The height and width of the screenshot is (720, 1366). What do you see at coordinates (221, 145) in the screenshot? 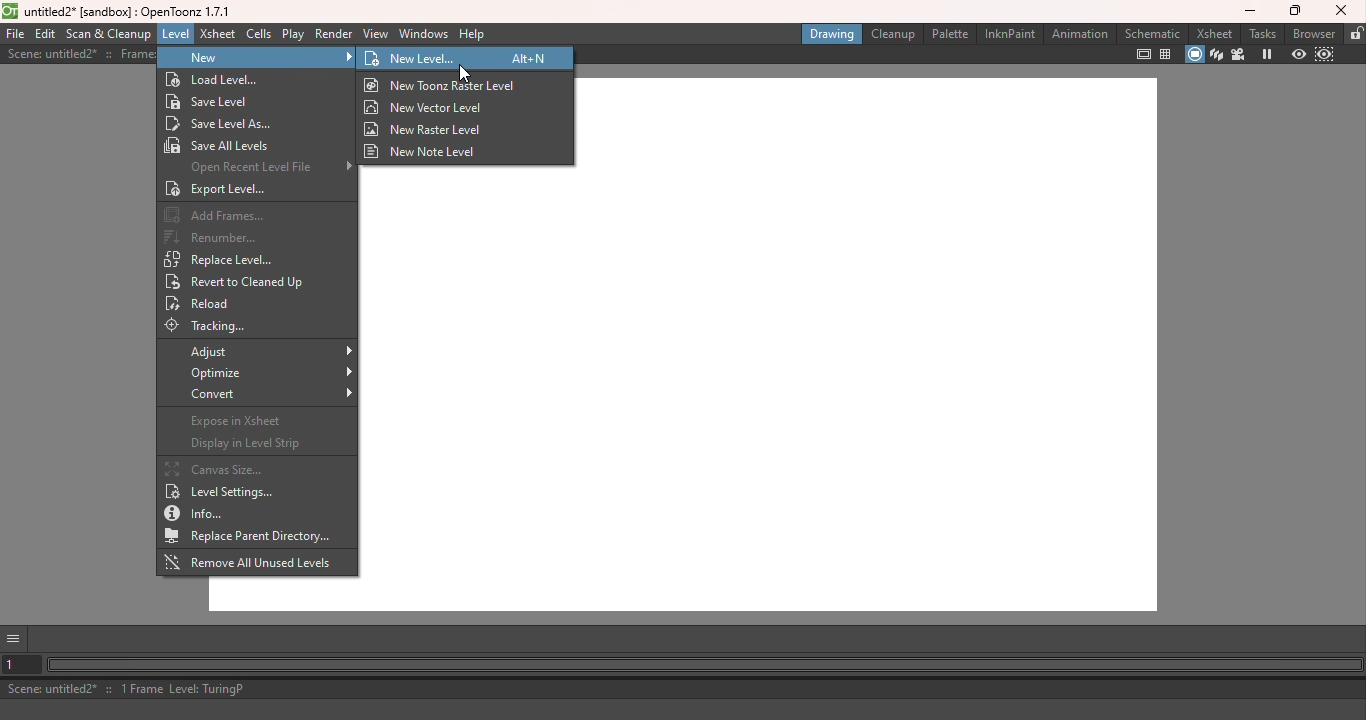
I see `Save all levels` at bounding box center [221, 145].